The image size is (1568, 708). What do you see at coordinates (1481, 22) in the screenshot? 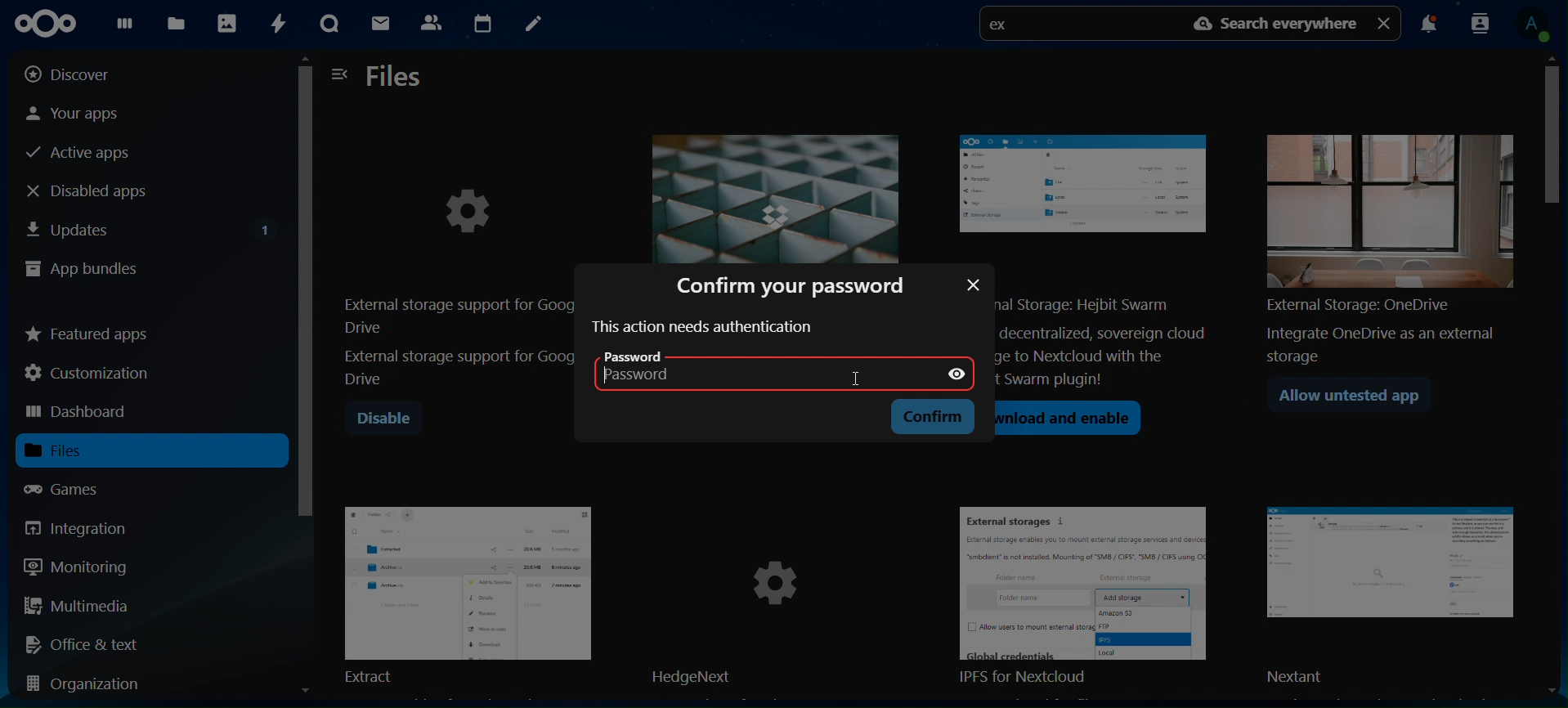
I see `search profile` at bounding box center [1481, 22].